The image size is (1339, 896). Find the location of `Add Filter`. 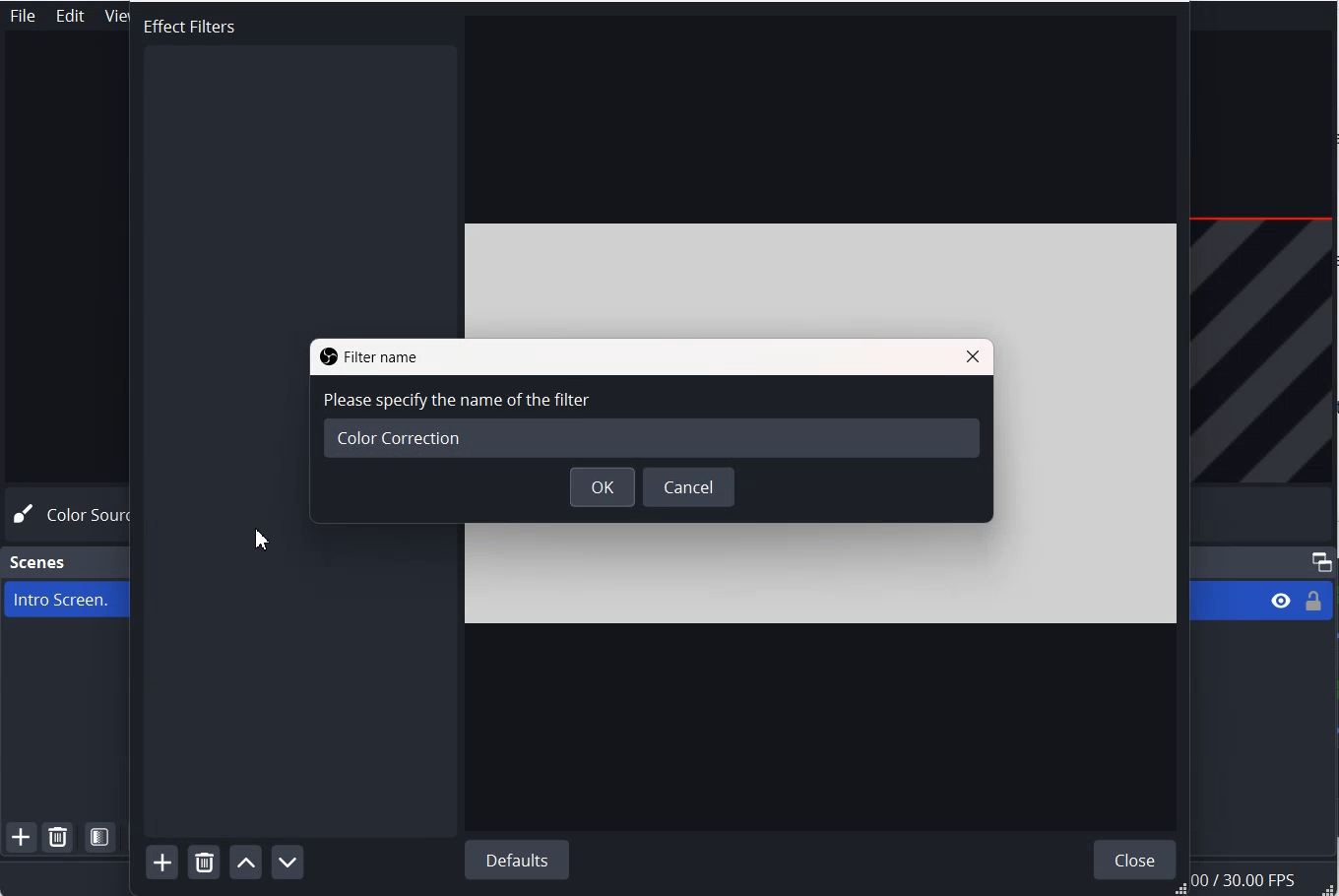

Add Filter is located at coordinates (161, 863).